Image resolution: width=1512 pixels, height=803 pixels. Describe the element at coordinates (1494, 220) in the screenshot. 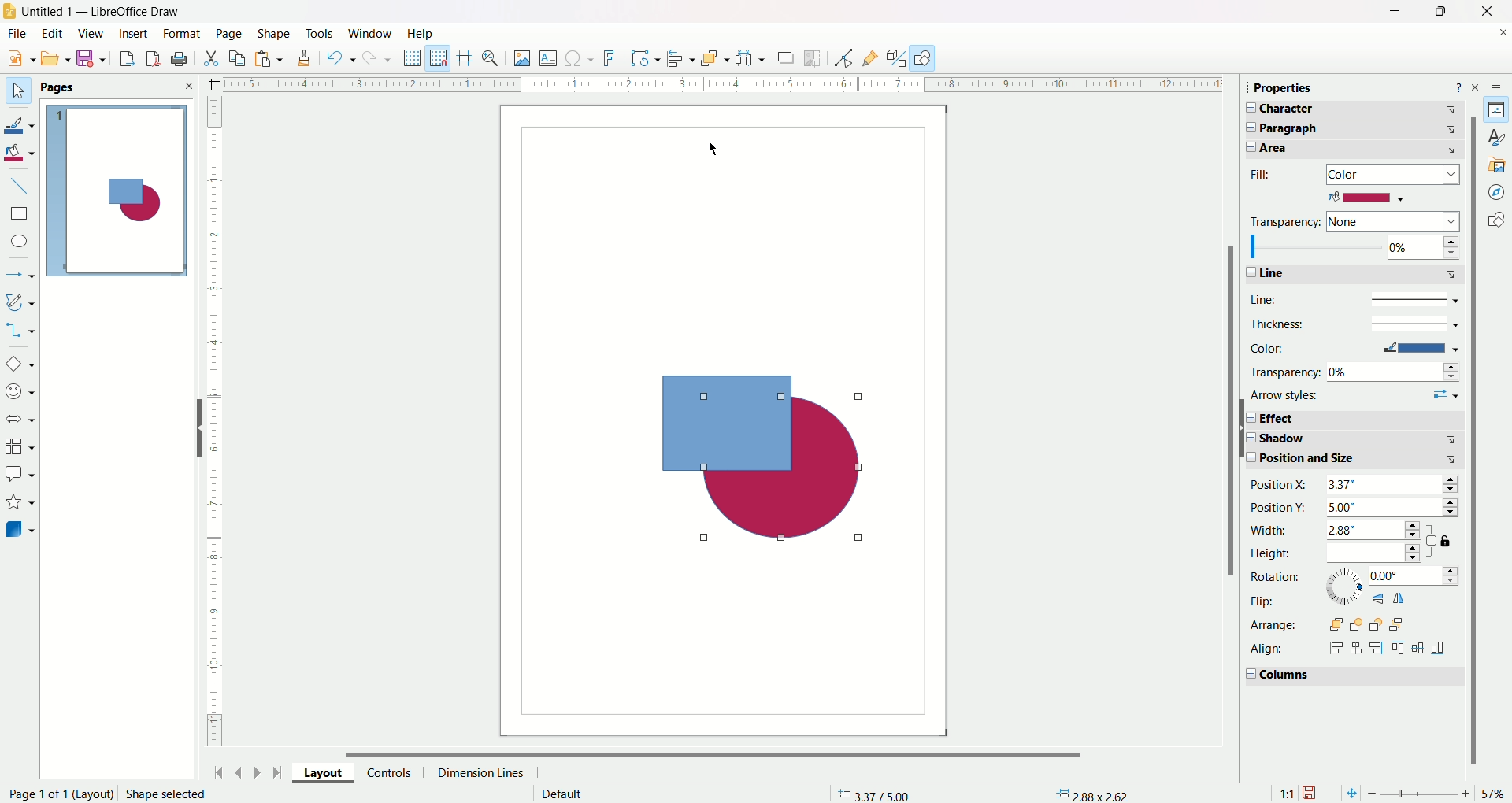

I see `shapes` at that location.